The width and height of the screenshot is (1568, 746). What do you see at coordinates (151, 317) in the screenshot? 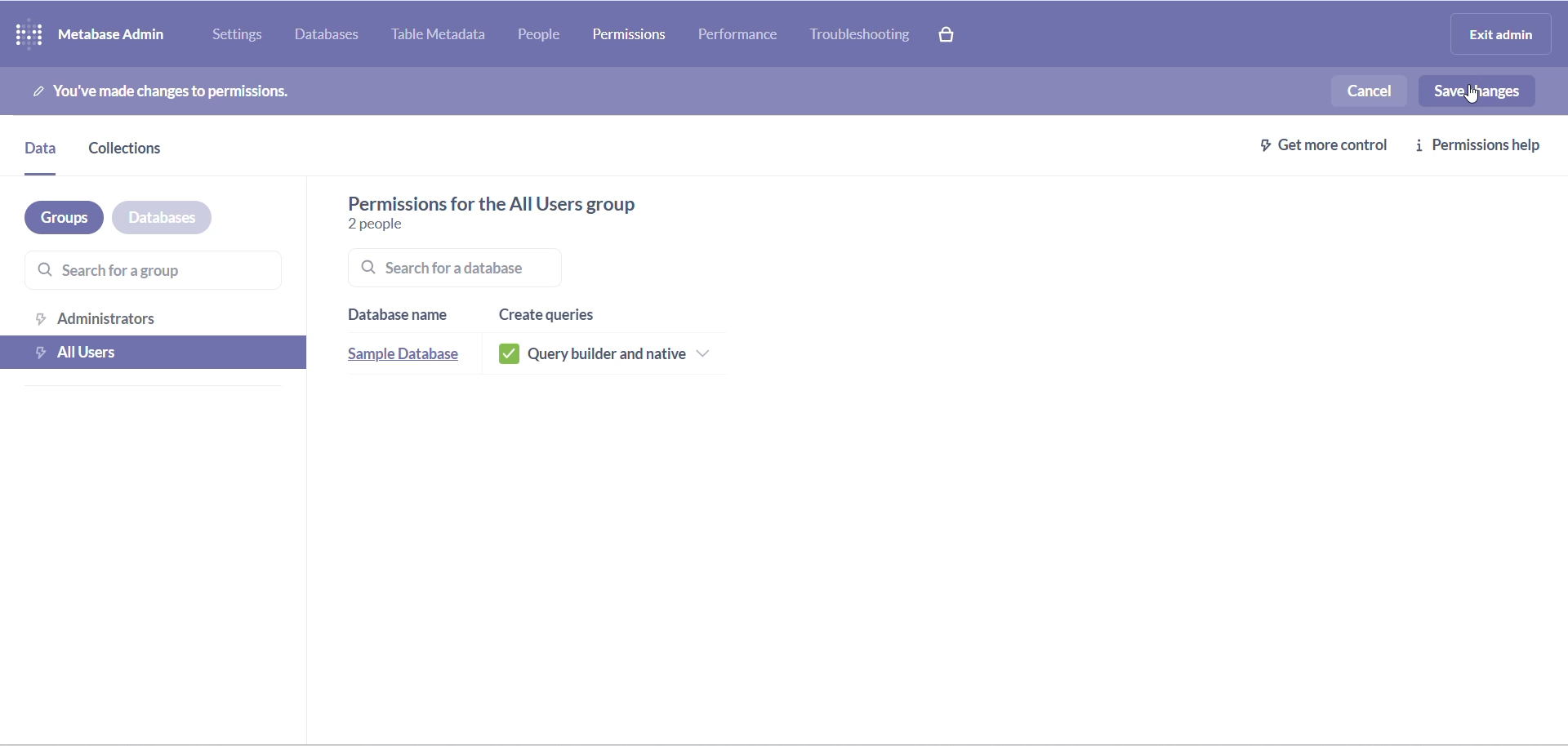
I see `administration` at bounding box center [151, 317].